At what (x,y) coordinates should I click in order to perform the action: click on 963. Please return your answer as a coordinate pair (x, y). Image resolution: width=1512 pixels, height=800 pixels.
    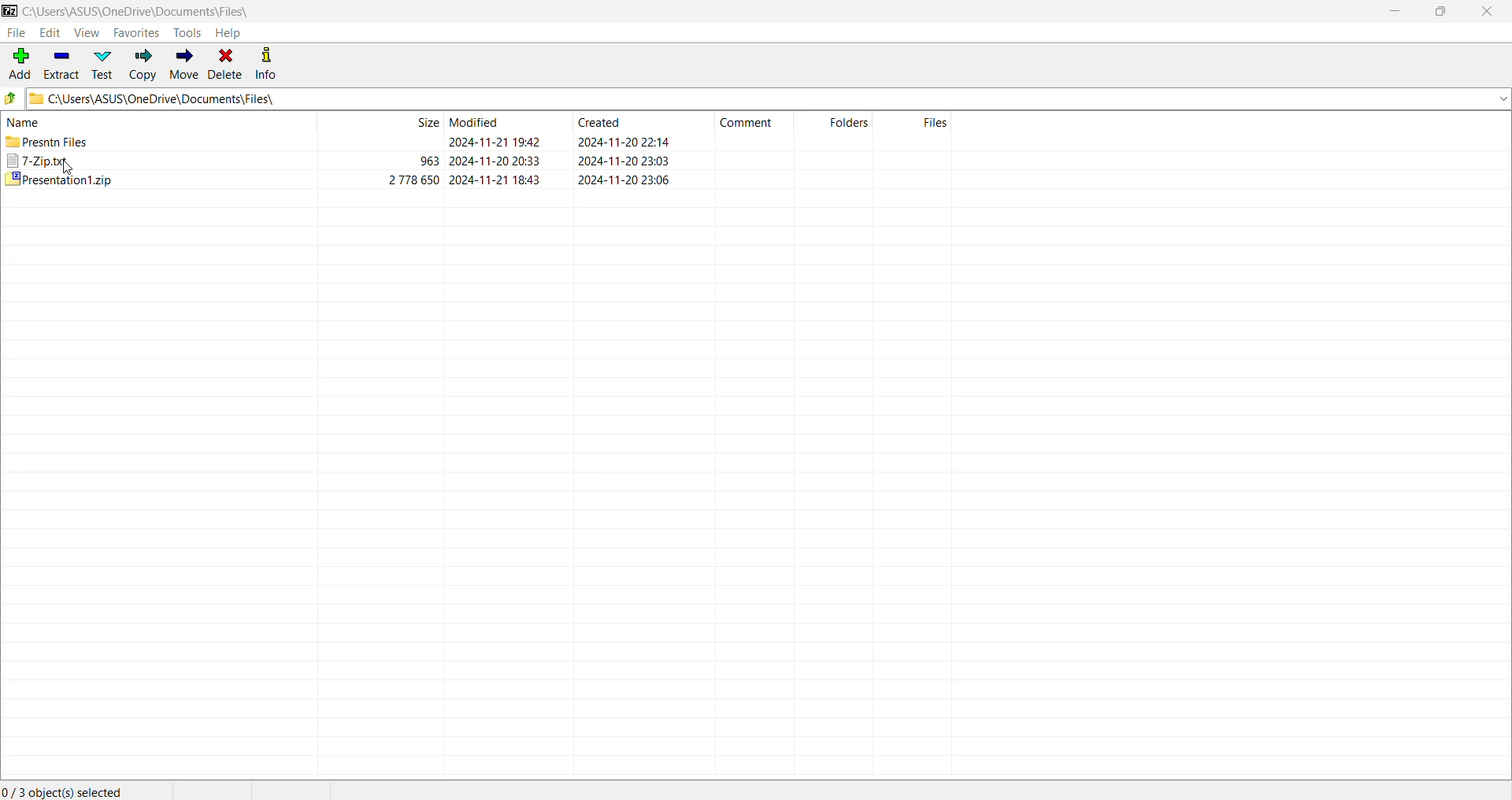
    Looking at the image, I should click on (428, 161).